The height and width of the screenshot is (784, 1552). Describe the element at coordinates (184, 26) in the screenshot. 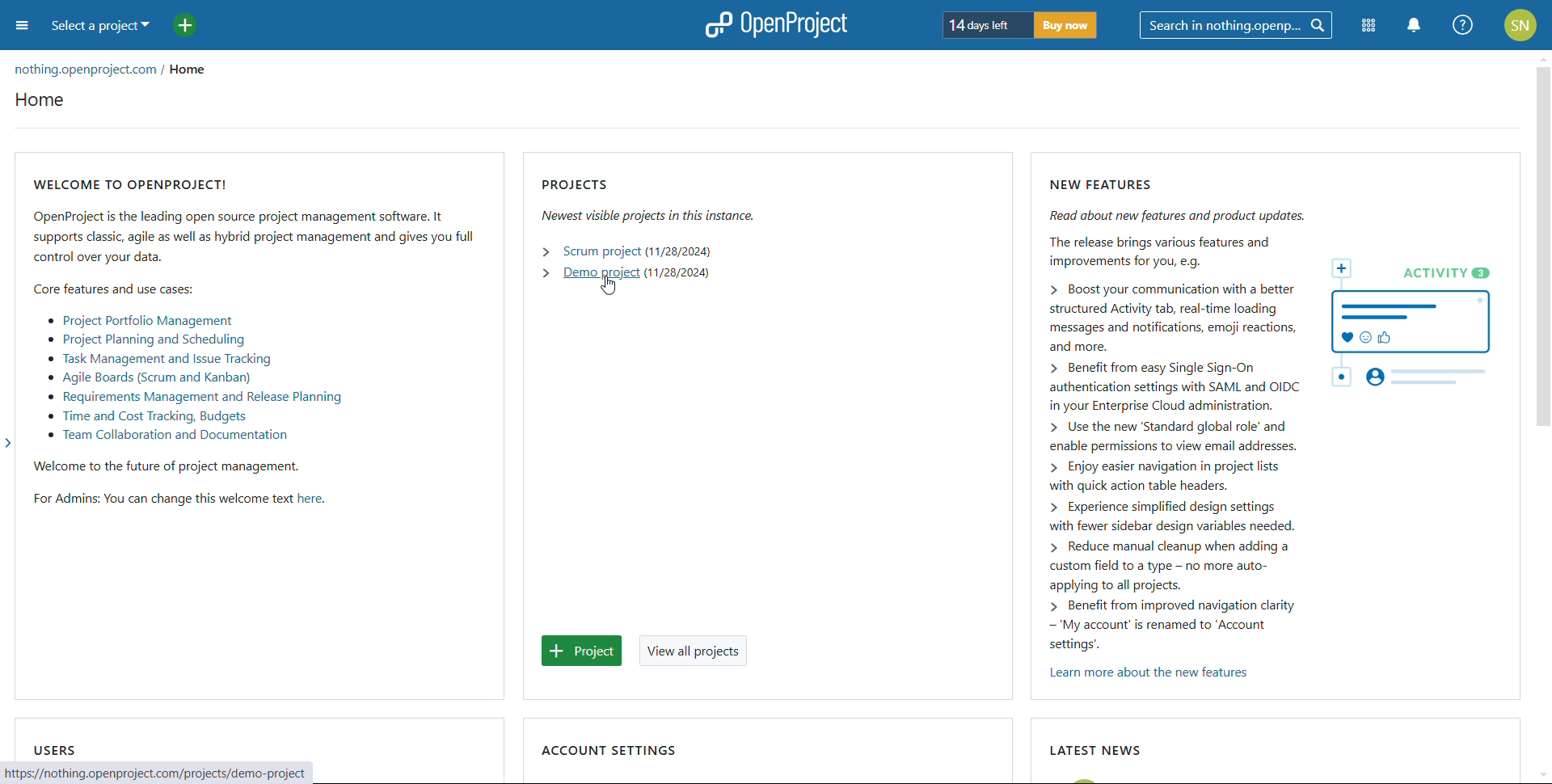

I see `add project` at that location.